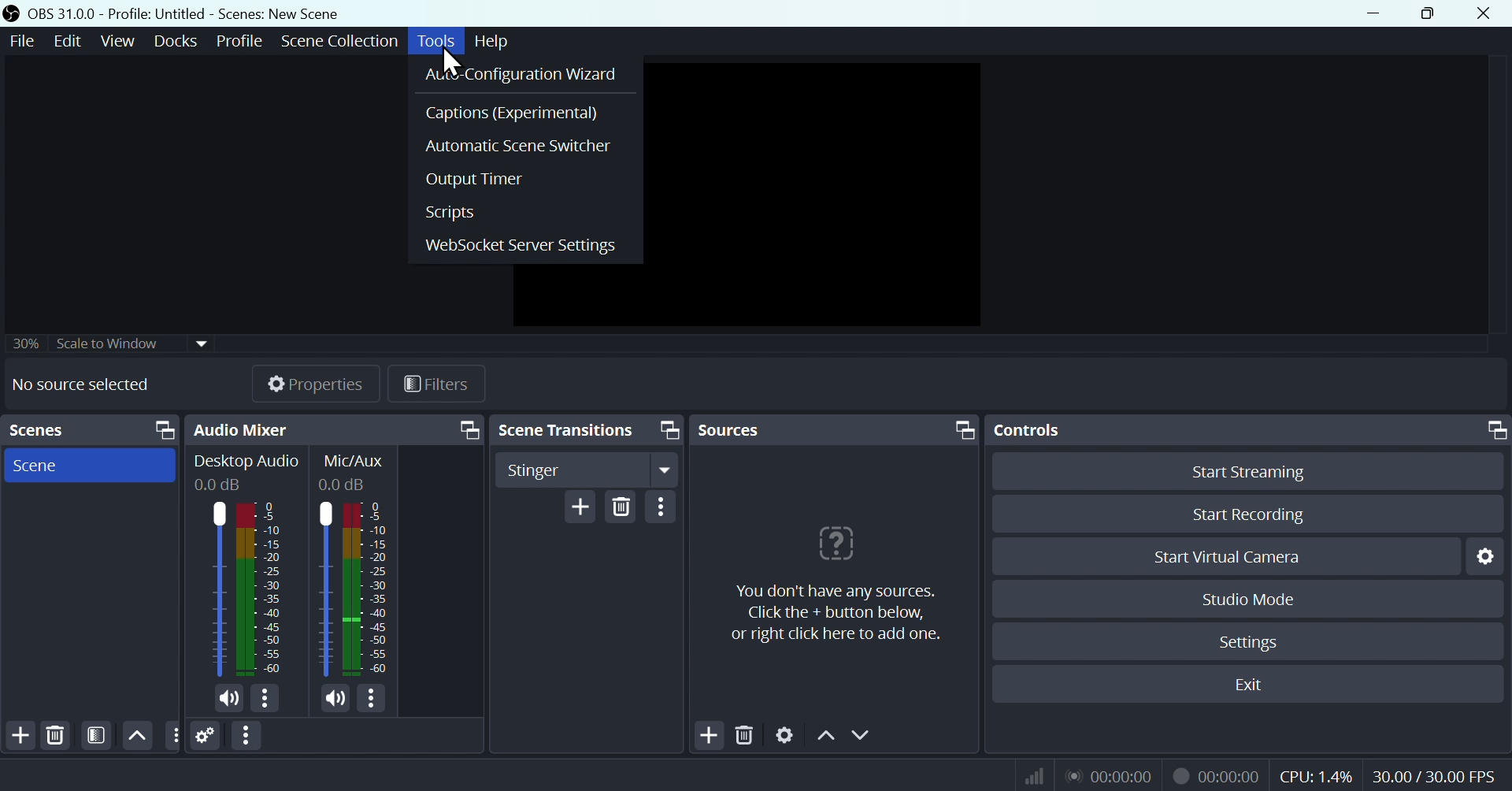 The height and width of the screenshot is (791, 1512). What do you see at coordinates (864, 734) in the screenshot?
I see `Down` at bounding box center [864, 734].